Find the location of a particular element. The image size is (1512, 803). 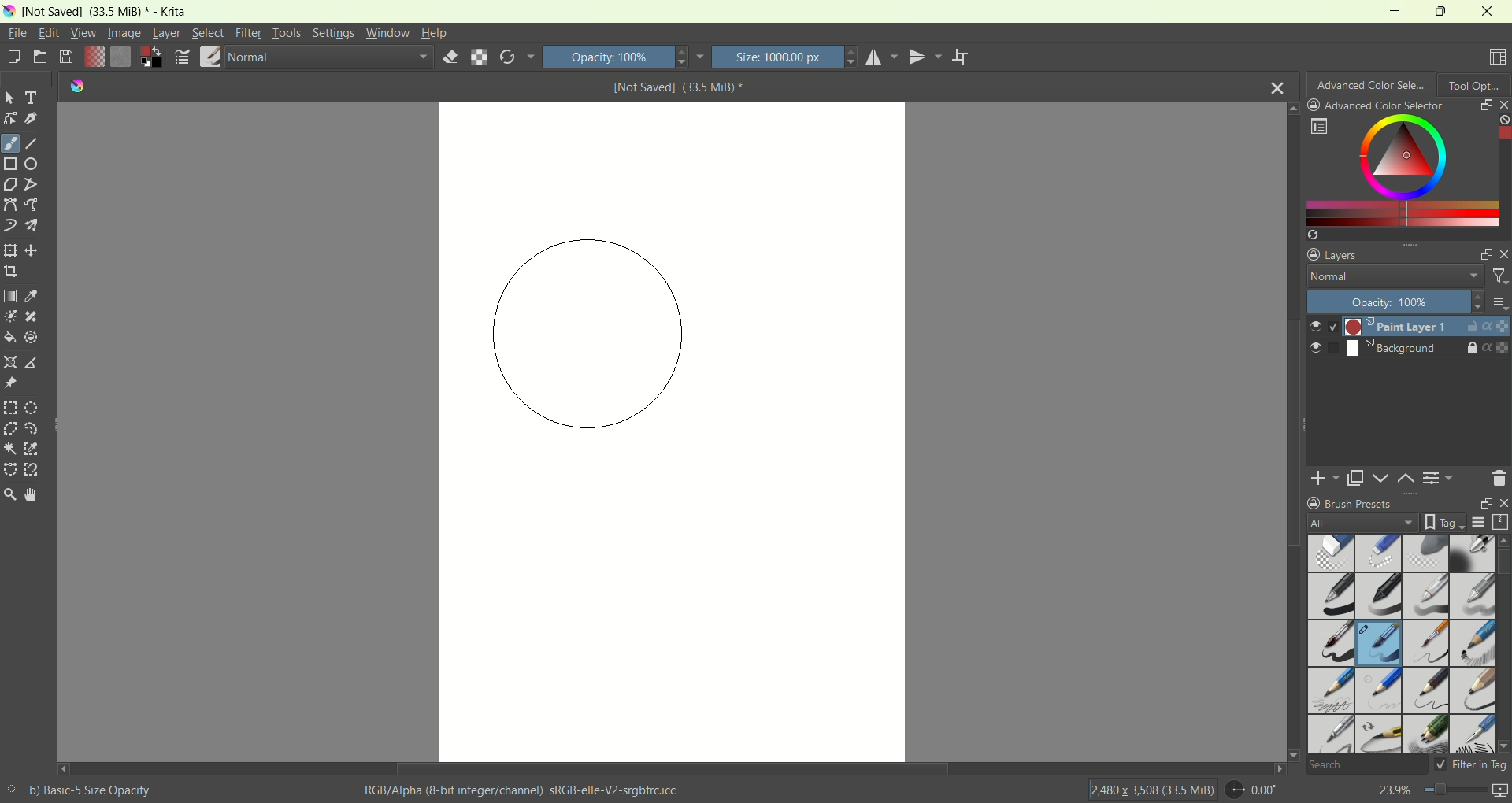

RGB/Alpha (8-bit integer/channel) sRGB-elle-V2-srgbtrc.icc is located at coordinates (524, 790).